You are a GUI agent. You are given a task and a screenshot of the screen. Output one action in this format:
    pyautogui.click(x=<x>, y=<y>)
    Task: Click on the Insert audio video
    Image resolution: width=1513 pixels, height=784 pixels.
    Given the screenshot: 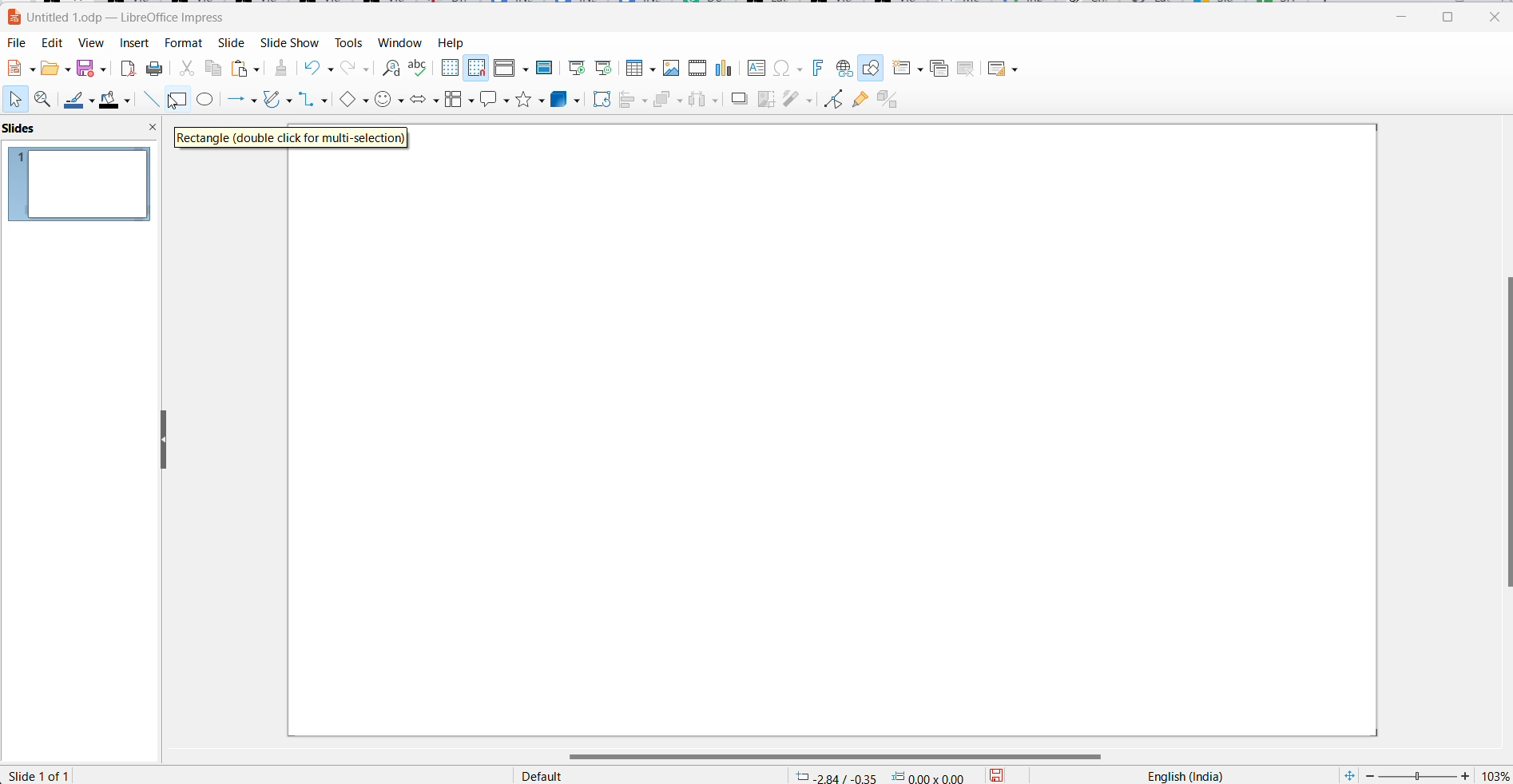 What is the action you would take?
    pyautogui.click(x=699, y=69)
    